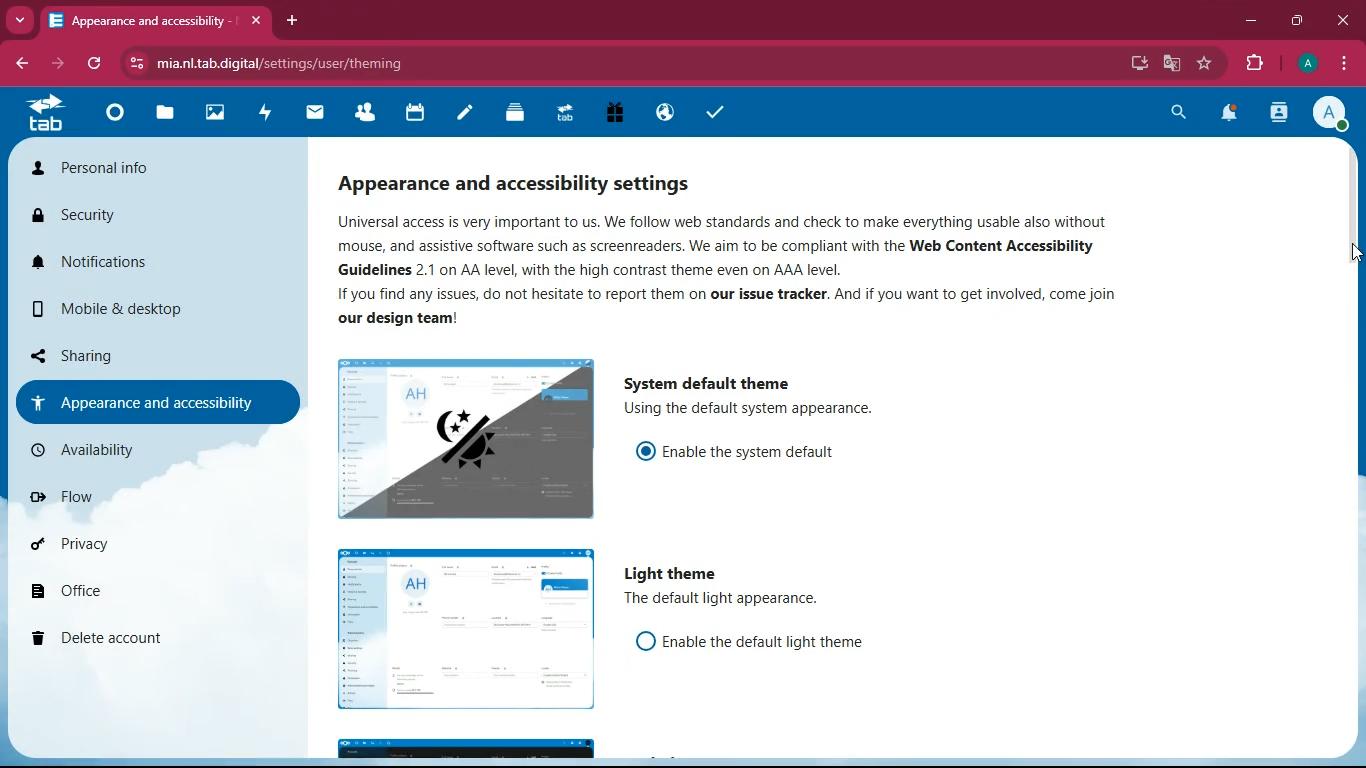  What do you see at coordinates (270, 114) in the screenshot?
I see `activity` at bounding box center [270, 114].